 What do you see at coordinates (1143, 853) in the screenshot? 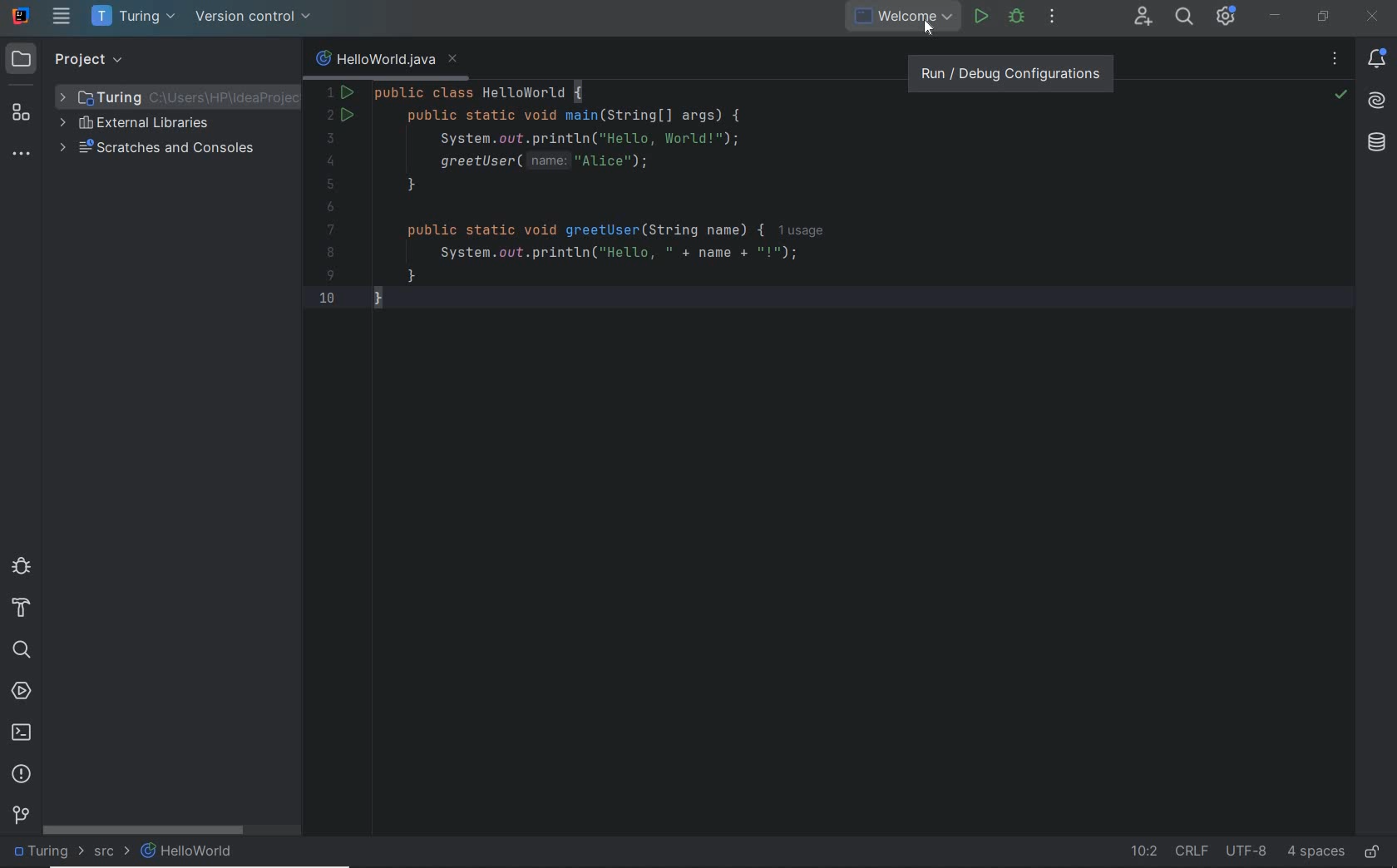
I see `go to line` at bounding box center [1143, 853].